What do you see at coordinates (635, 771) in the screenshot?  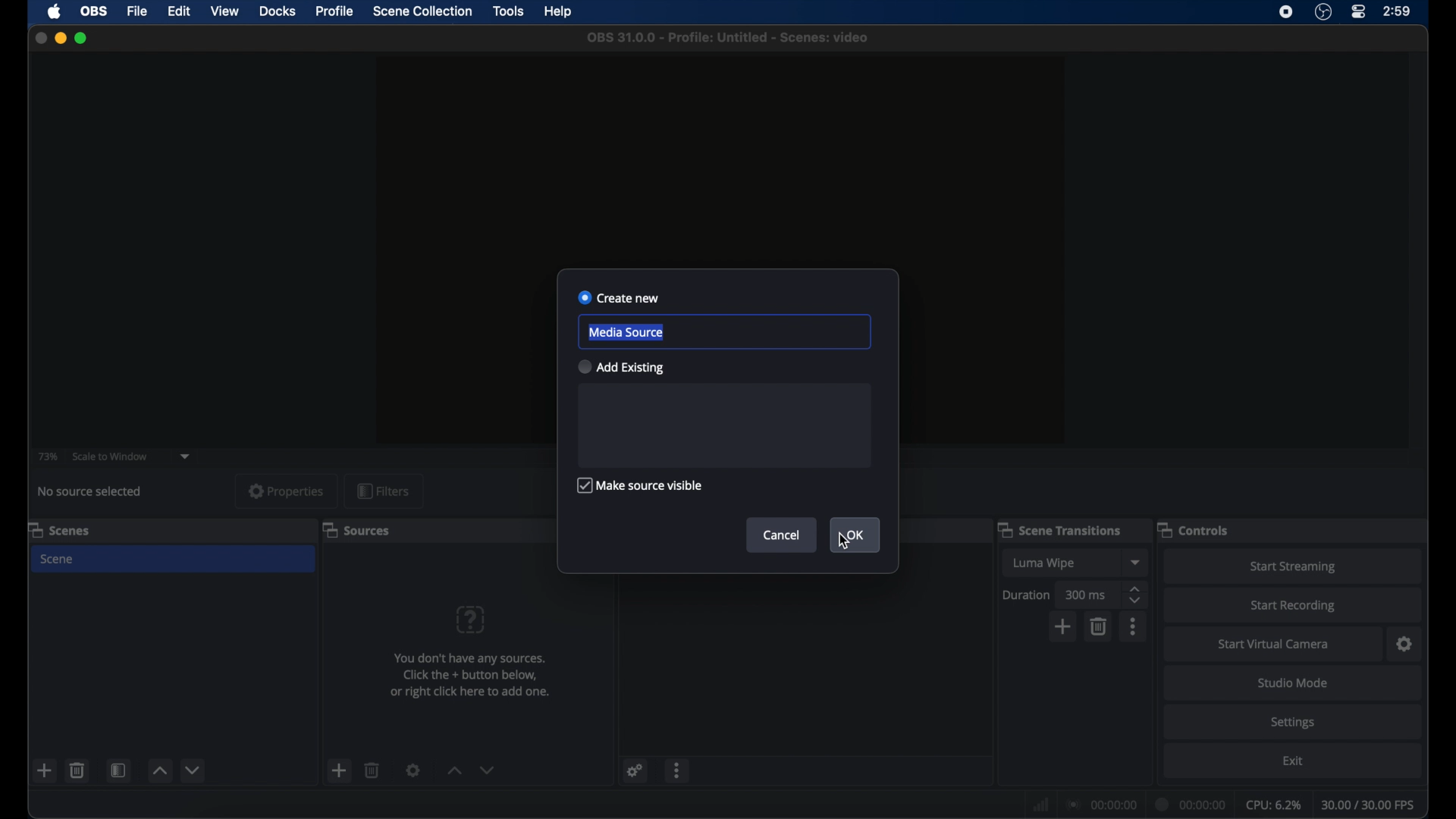 I see `settings` at bounding box center [635, 771].